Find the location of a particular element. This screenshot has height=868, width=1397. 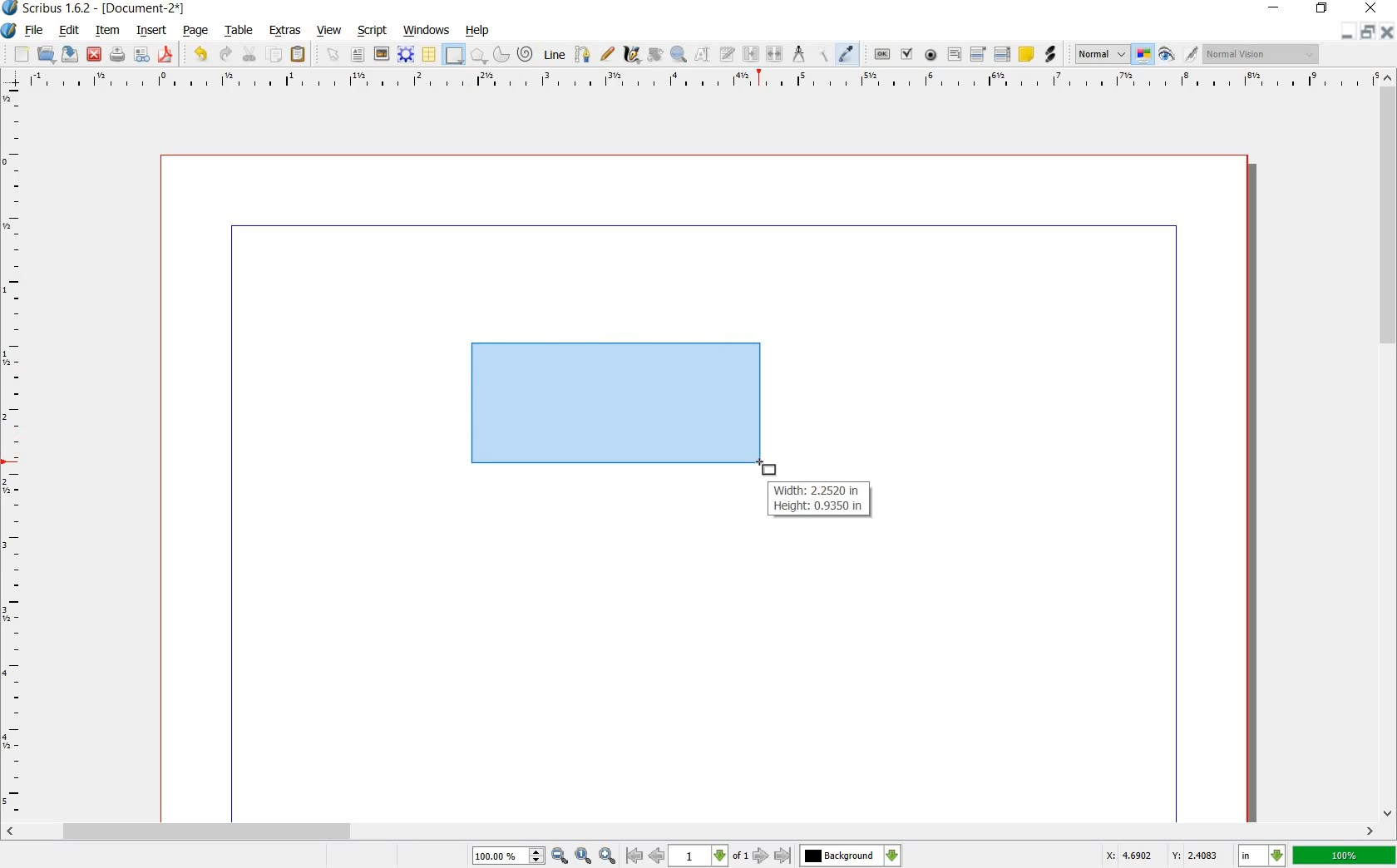

TOGGLE COLOR MANAGEMENT SYSTEM is located at coordinates (1145, 56).